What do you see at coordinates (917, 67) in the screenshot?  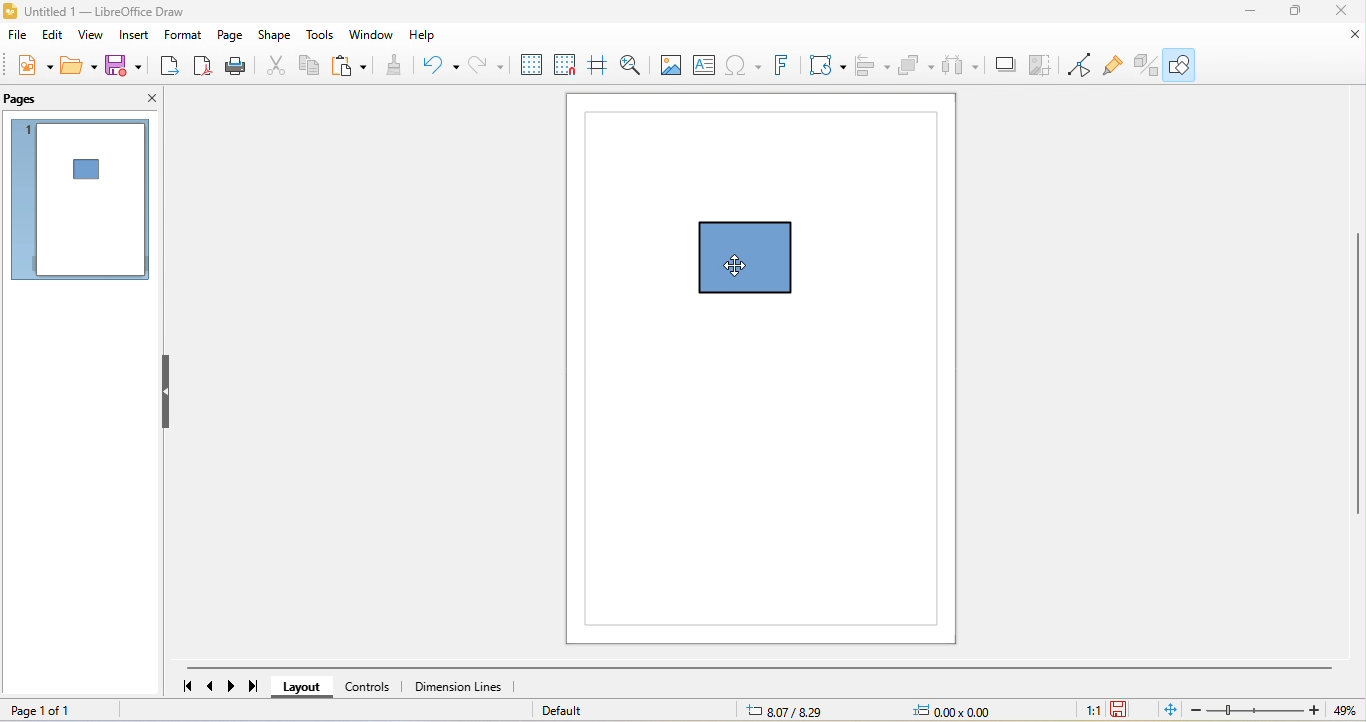 I see `arrange` at bounding box center [917, 67].